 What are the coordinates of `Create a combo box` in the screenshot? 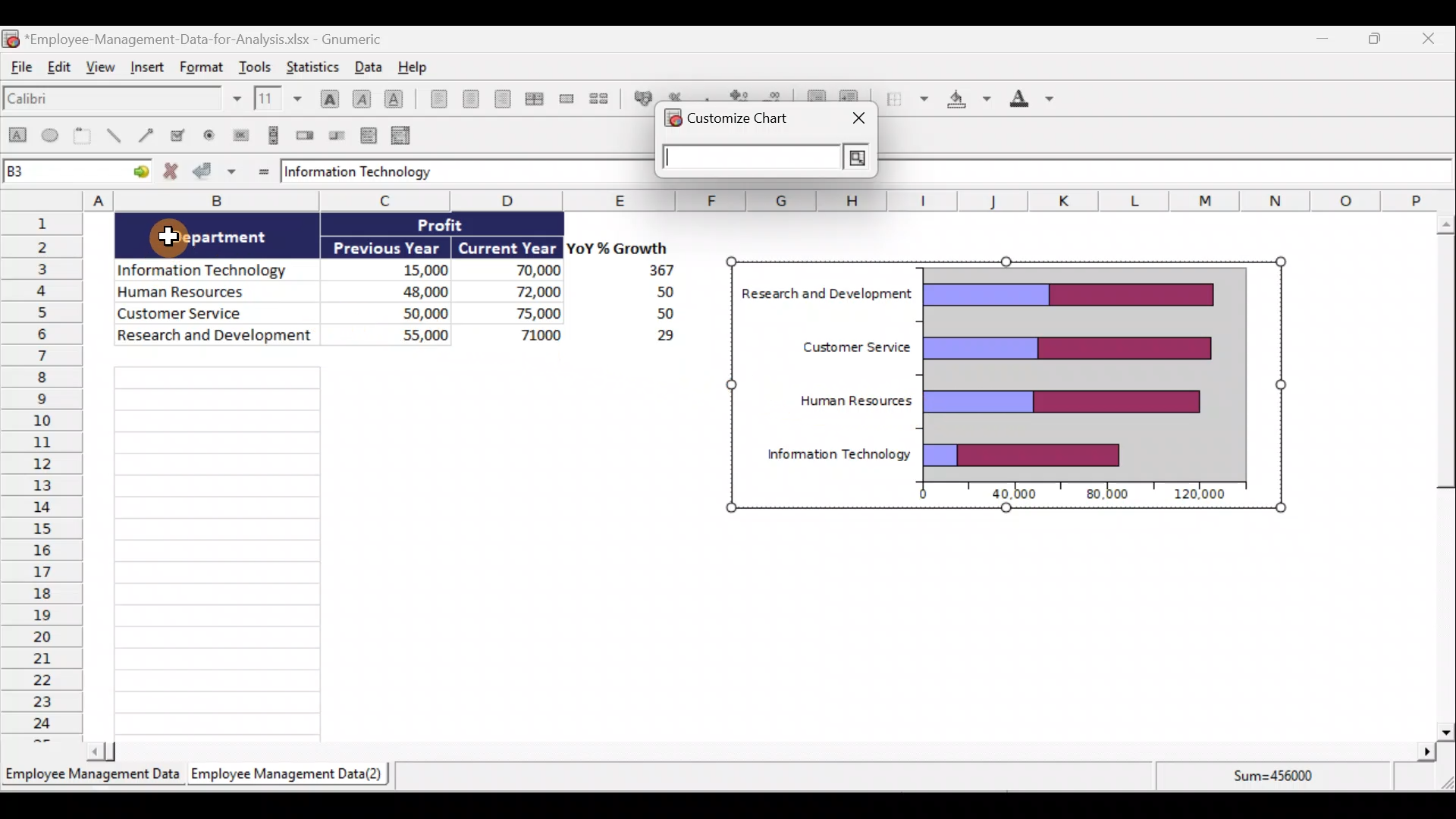 It's located at (403, 134).